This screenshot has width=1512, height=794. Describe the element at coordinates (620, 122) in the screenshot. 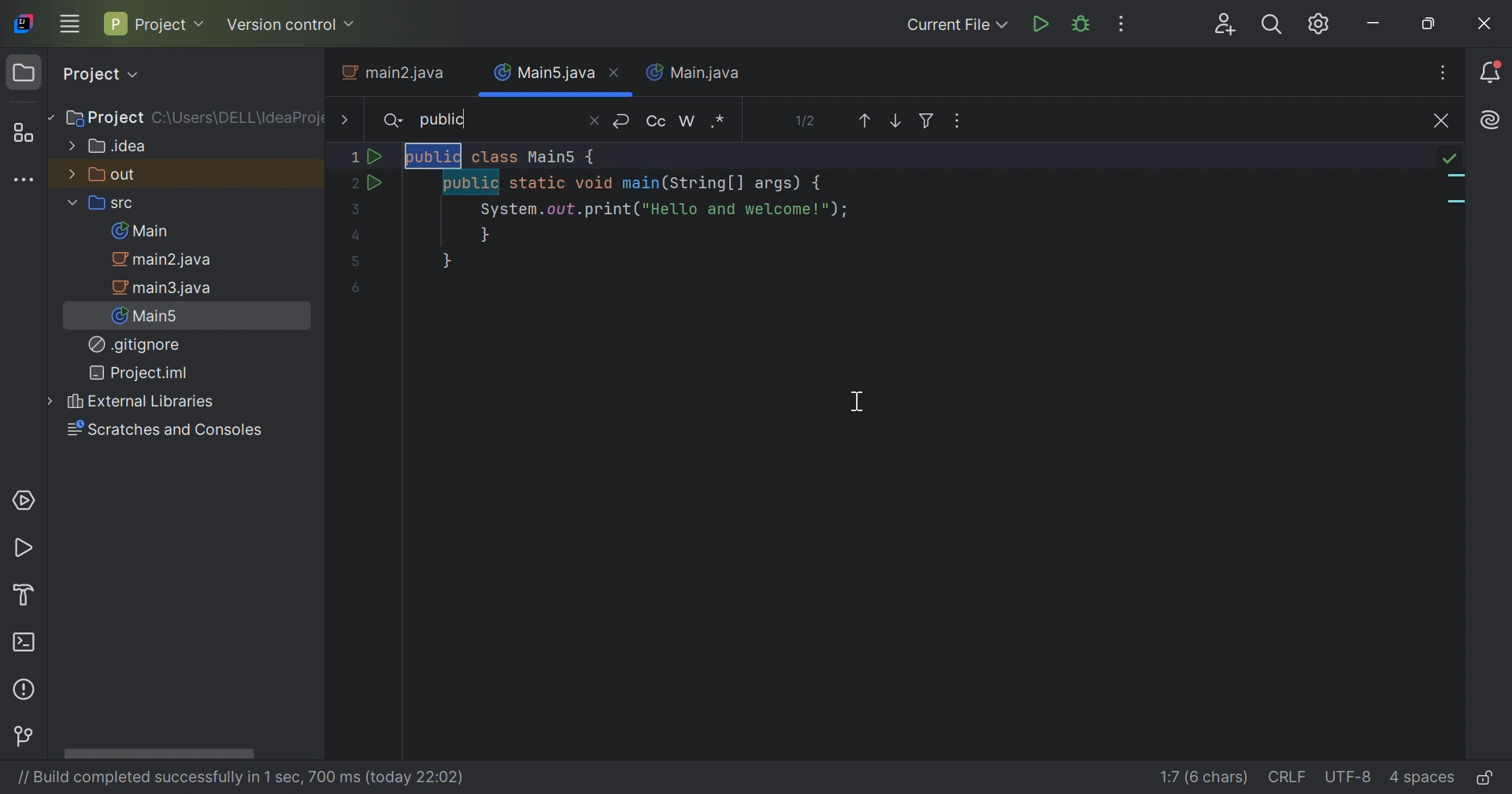

I see `New line` at that location.